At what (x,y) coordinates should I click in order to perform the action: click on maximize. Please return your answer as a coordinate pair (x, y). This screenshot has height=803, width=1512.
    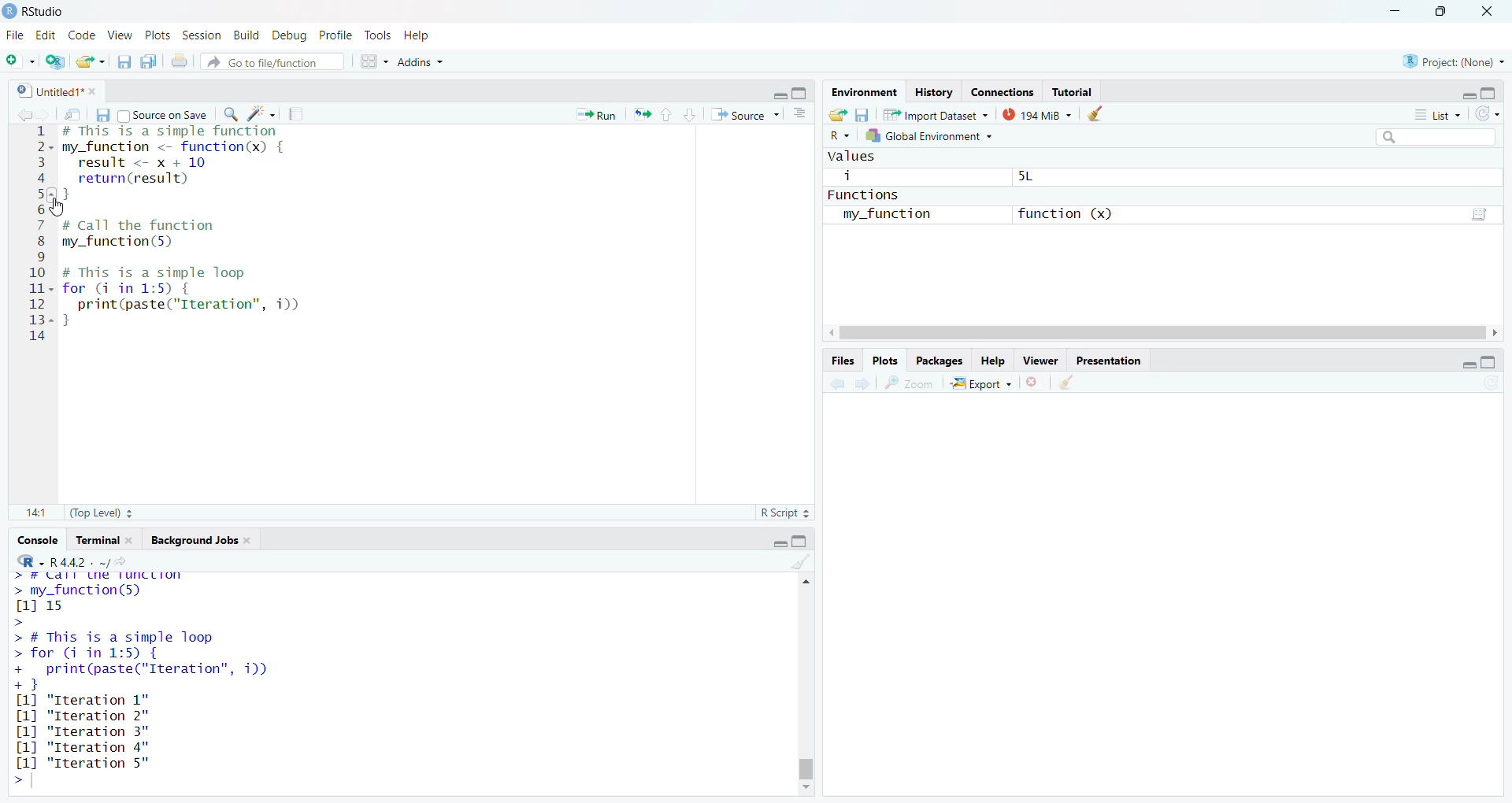
    Looking at the image, I should click on (805, 93).